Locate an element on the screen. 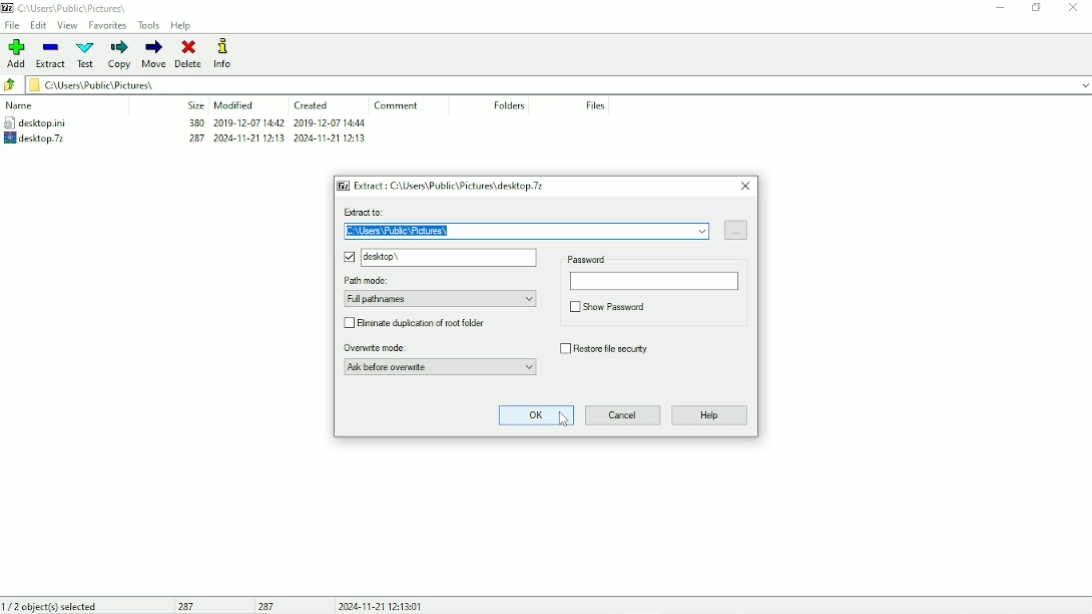 The height and width of the screenshot is (614, 1092). c/Users\Publc\ Pictures is located at coordinates (79, 8).